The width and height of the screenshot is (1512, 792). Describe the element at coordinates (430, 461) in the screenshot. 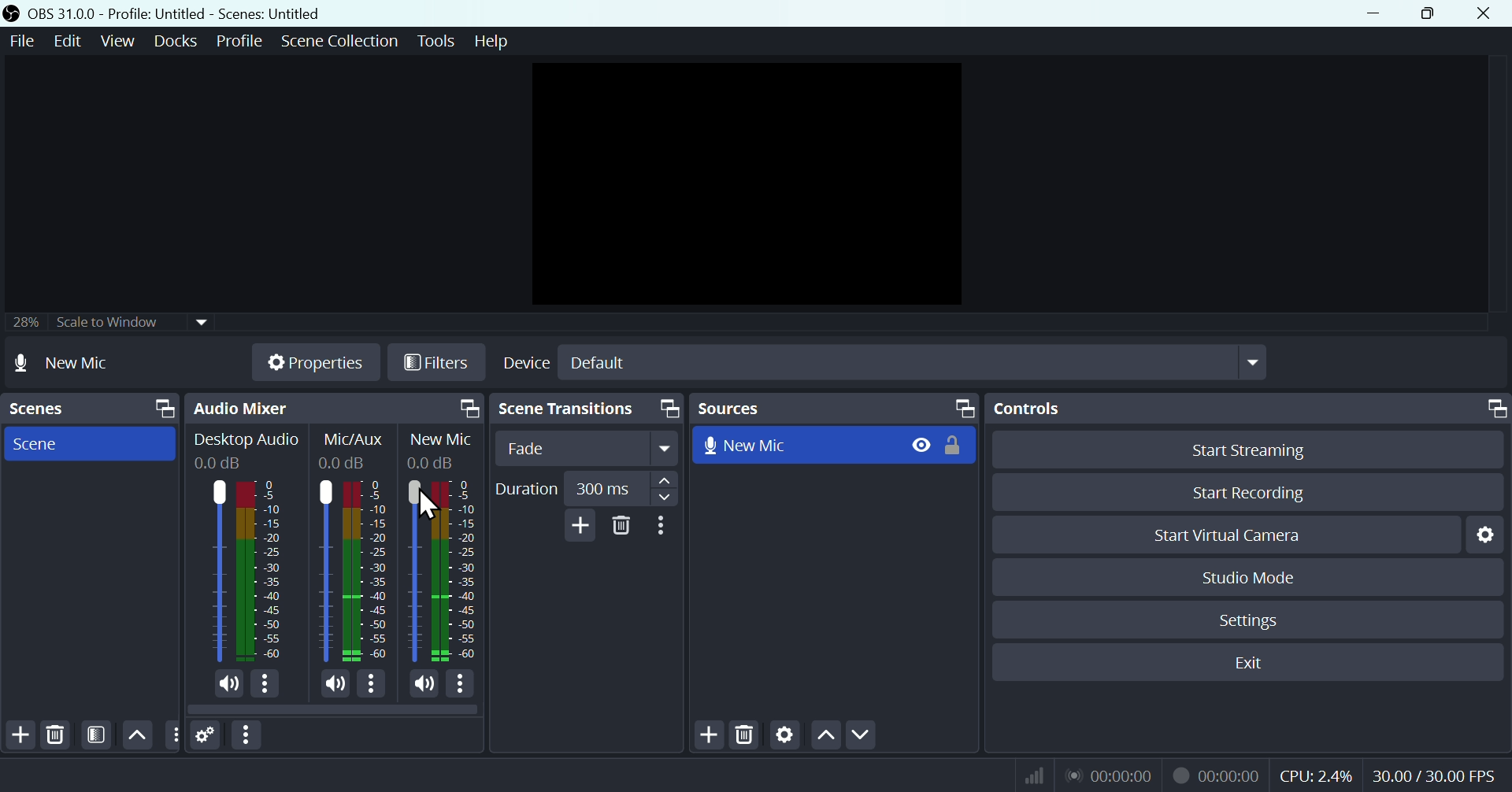

I see `0.0dB` at that location.